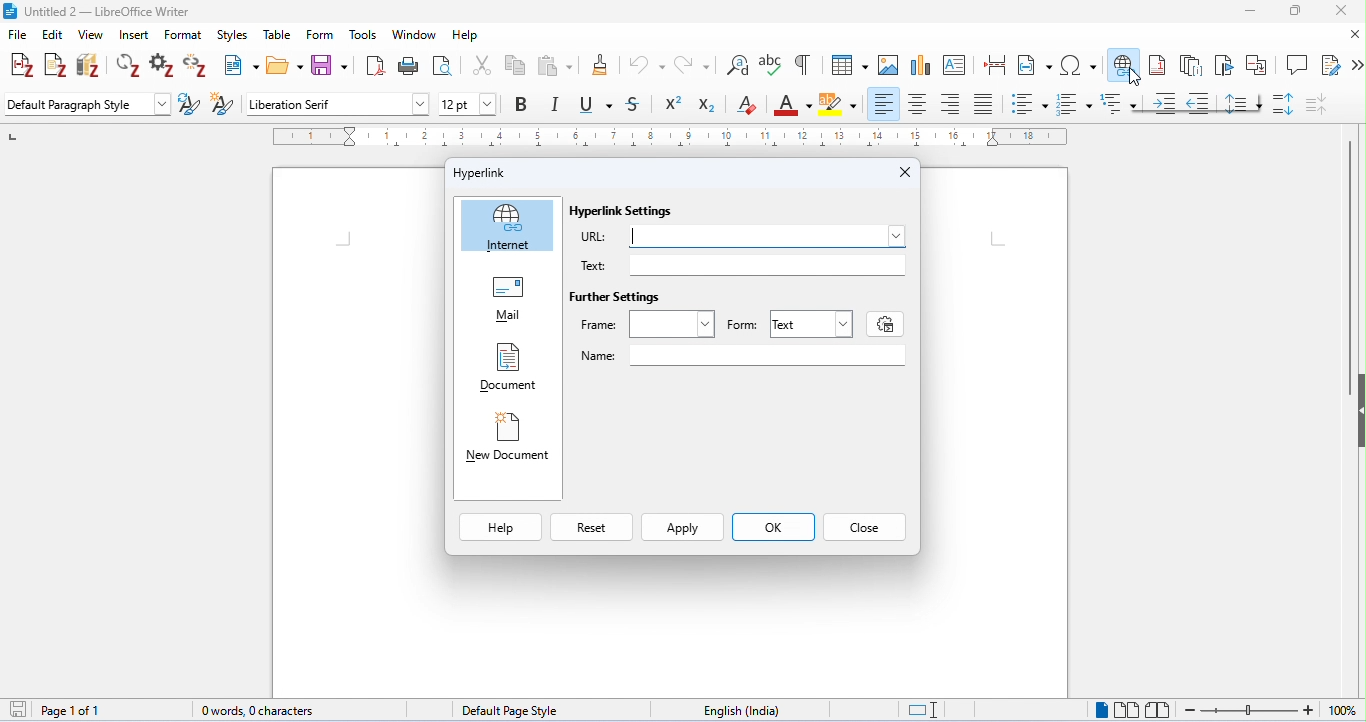  What do you see at coordinates (1354, 35) in the screenshot?
I see `close document` at bounding box center [1354, 35].